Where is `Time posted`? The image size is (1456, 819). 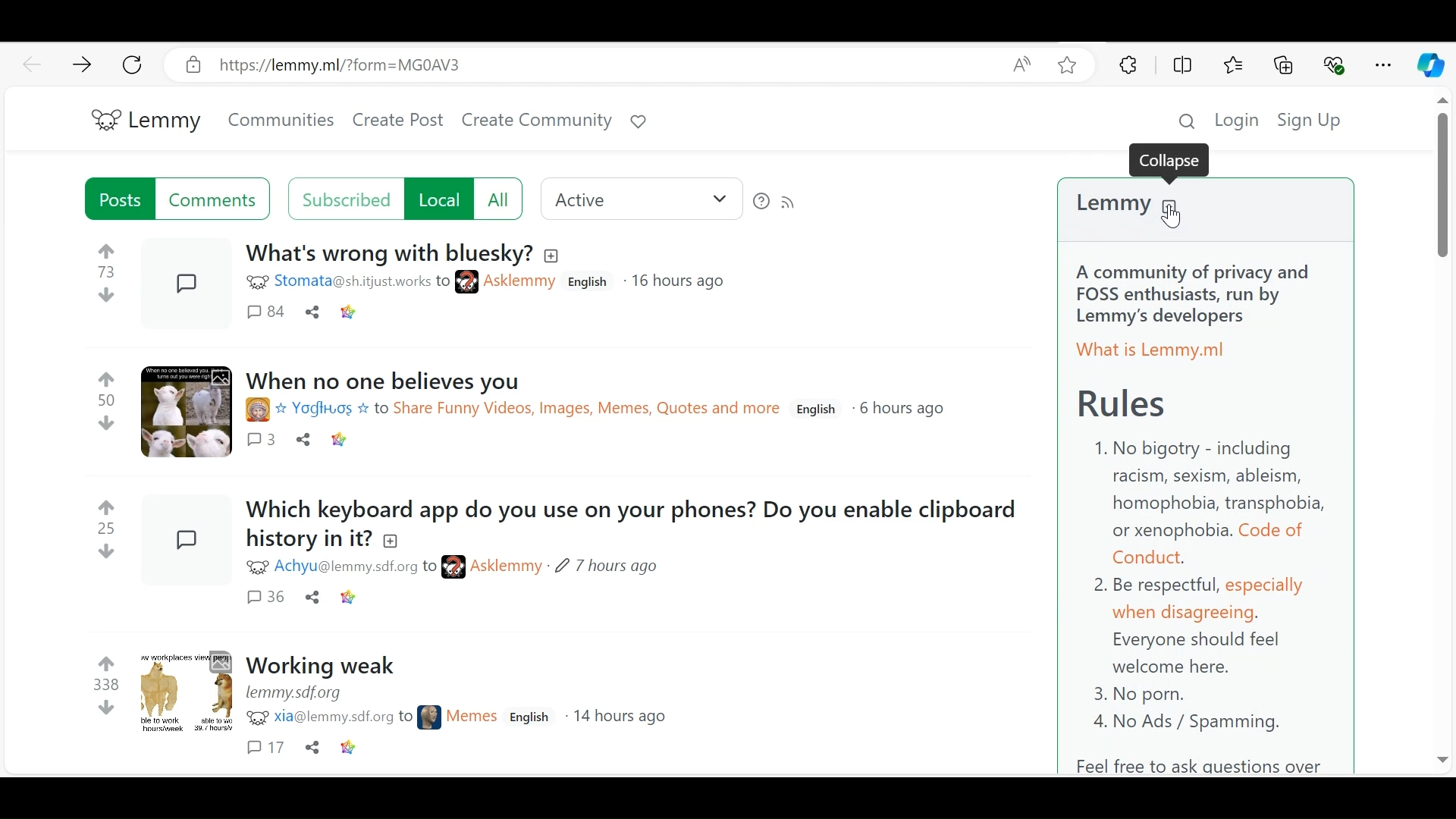 Time posted is located at coordinates (681, 284).